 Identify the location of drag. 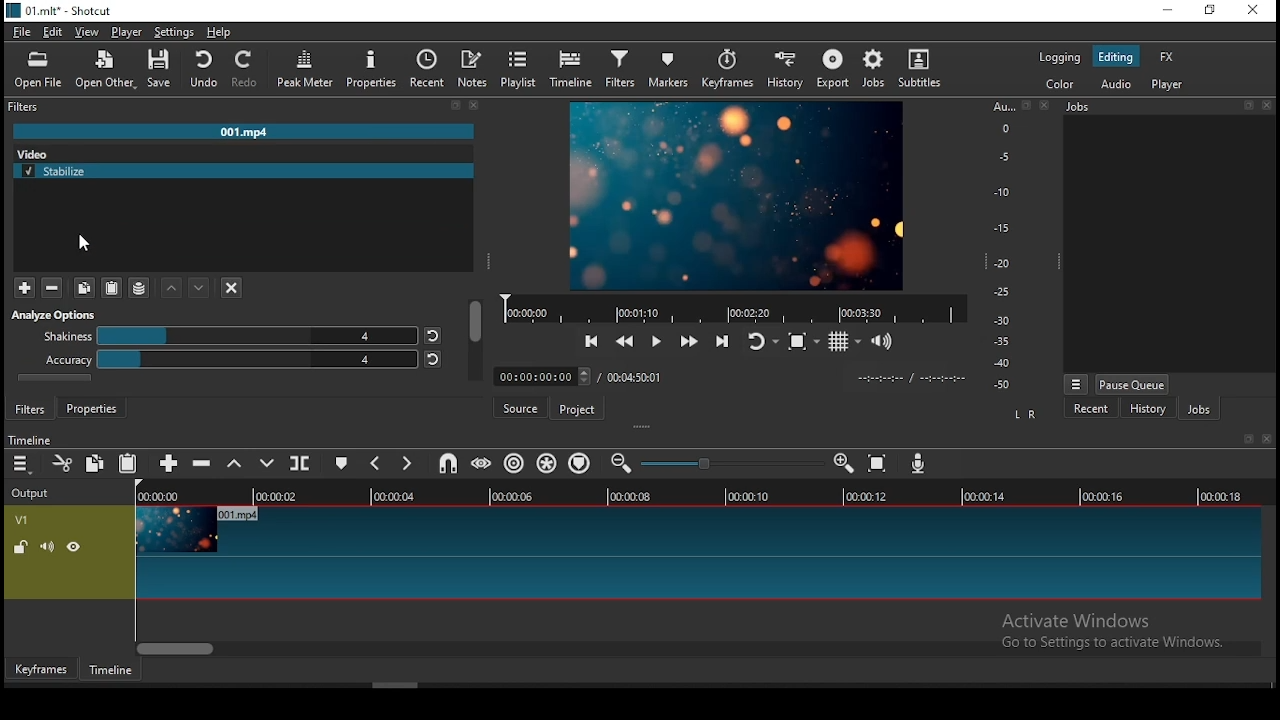
(1053, 263).